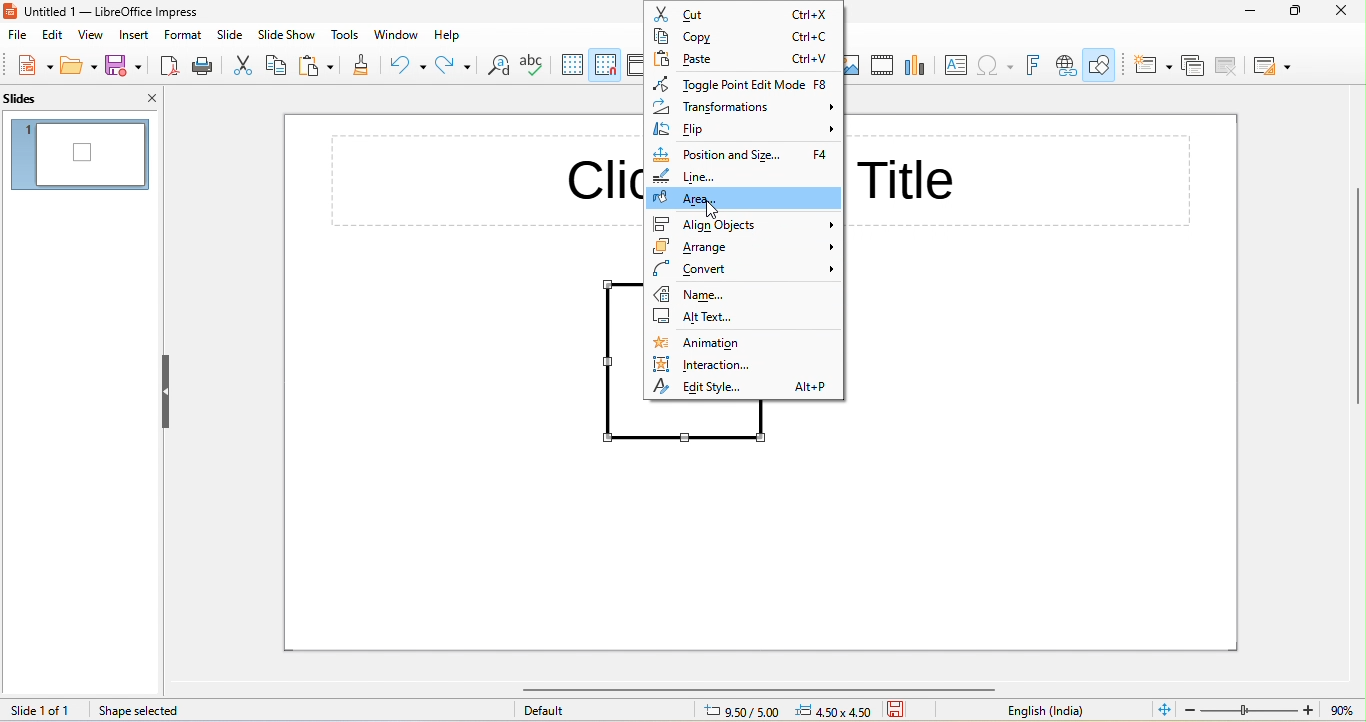 Image resolution: width=1366 pixels, height=722 pixels. What do you see at coordinates (744, 110) in the screenshot?
I see `transformations` at bounding box center [744, 110].